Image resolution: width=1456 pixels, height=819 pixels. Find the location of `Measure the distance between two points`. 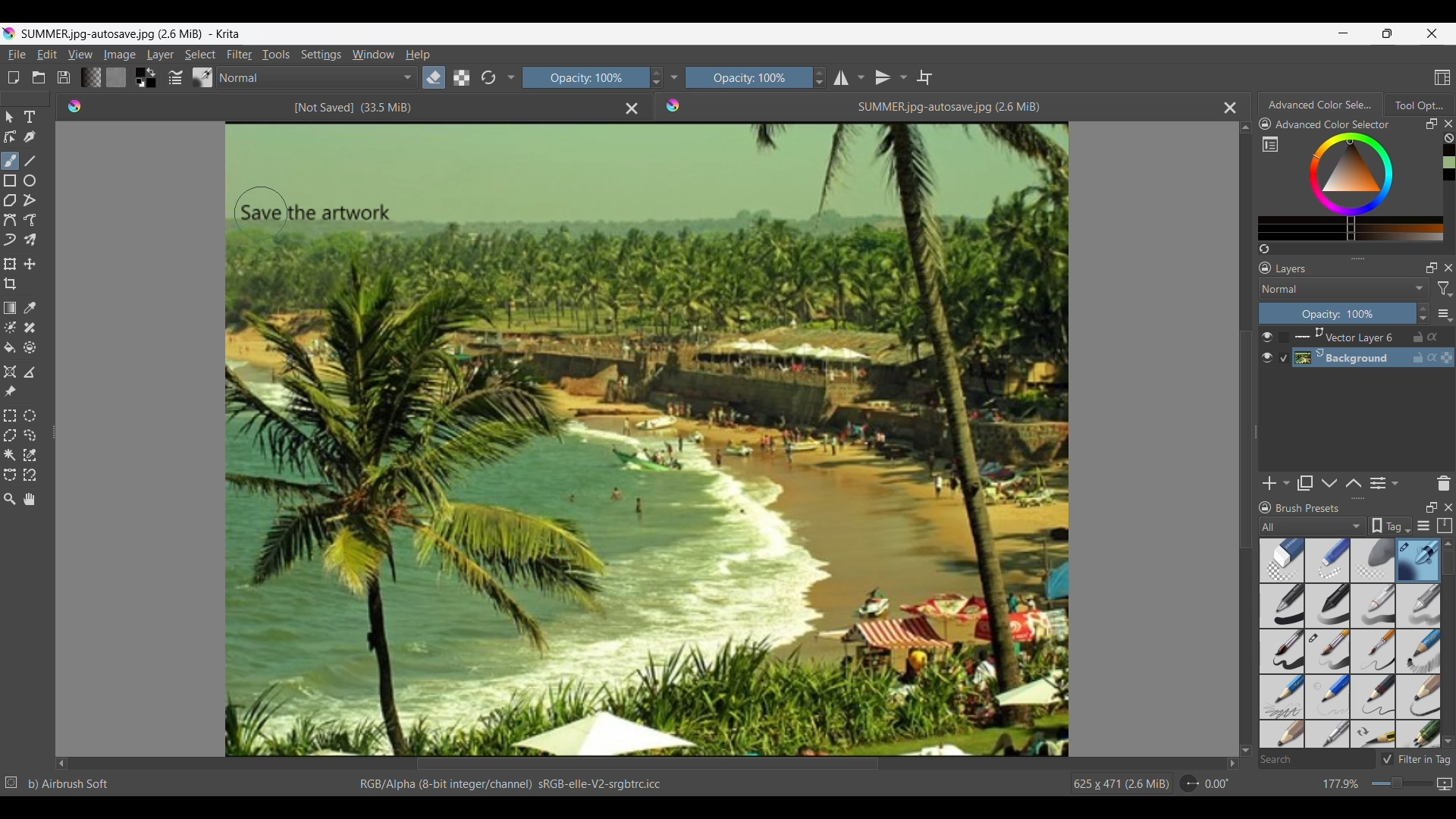

Measure the distance between two points is located at coordinates (30, 372).